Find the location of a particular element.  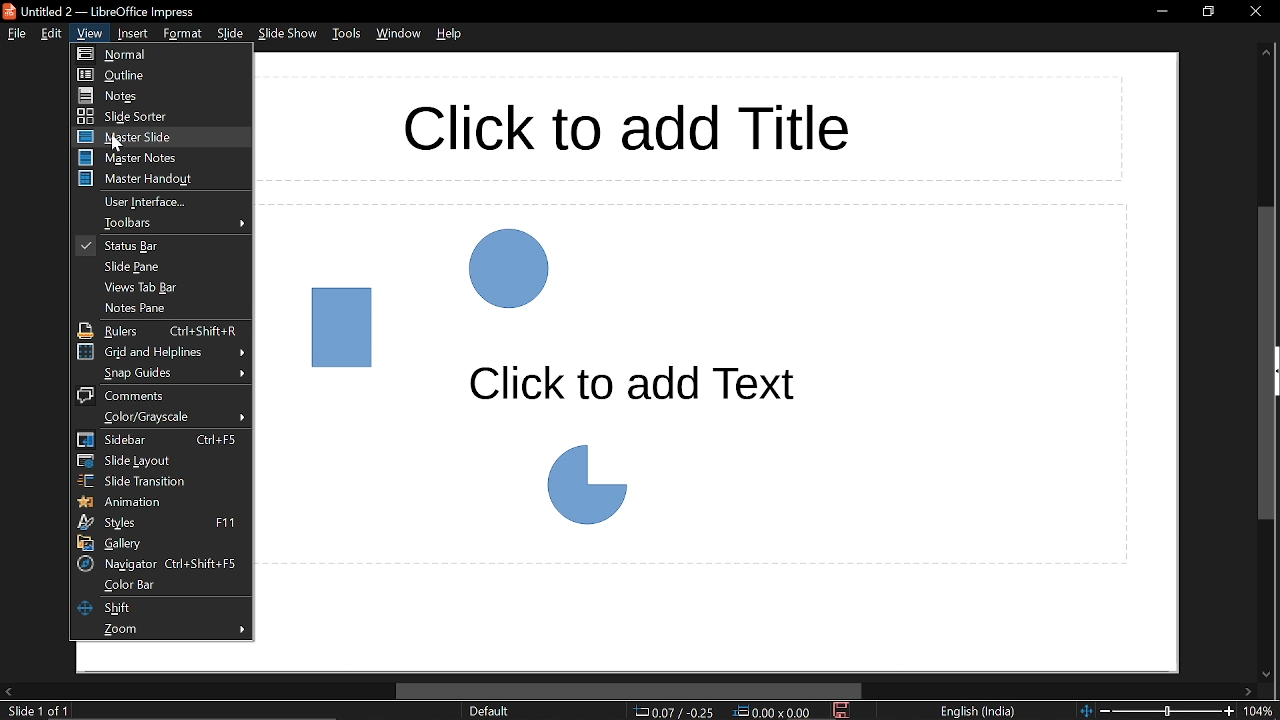

Normal is located at coordinates (141, 55).